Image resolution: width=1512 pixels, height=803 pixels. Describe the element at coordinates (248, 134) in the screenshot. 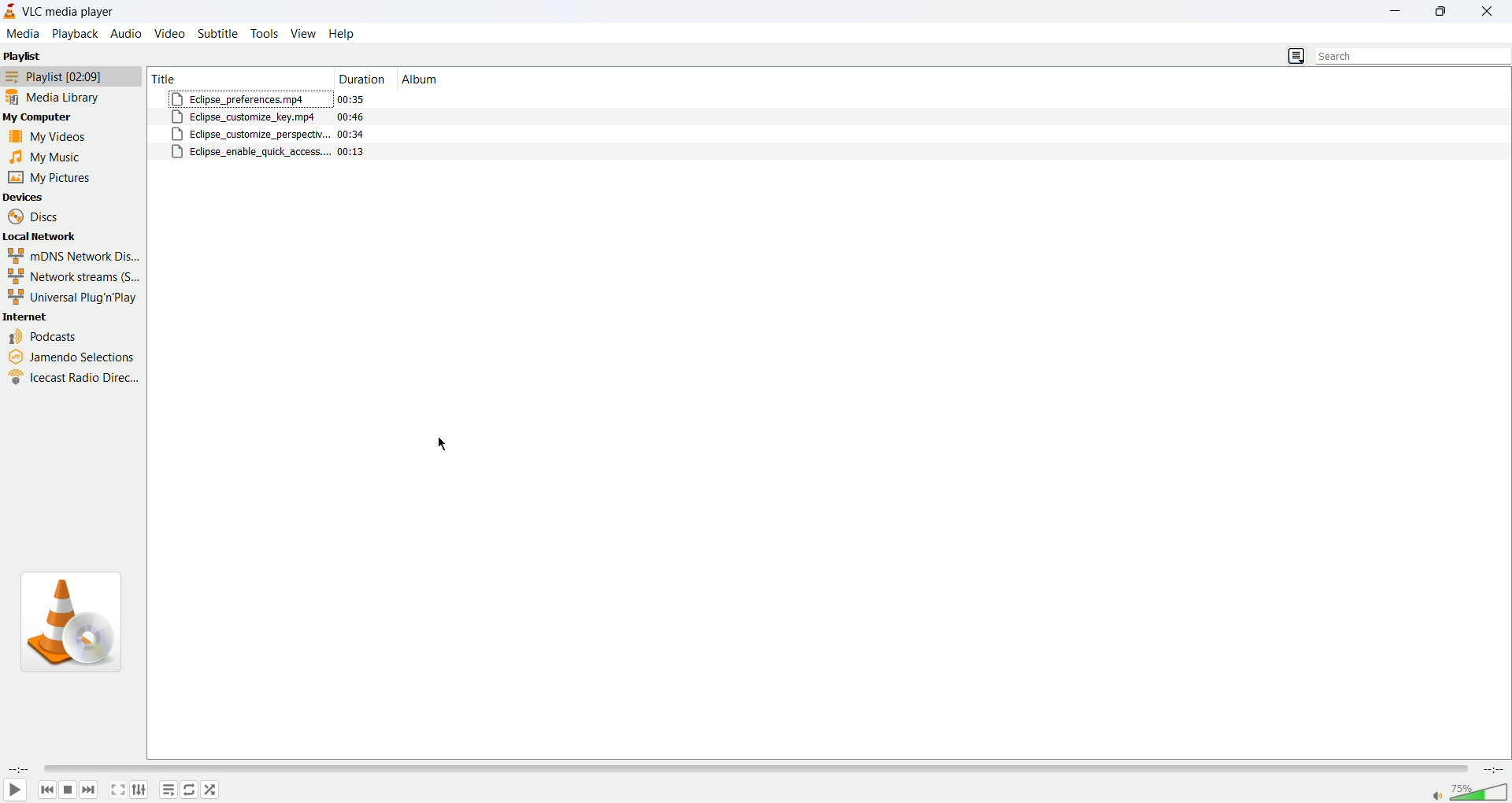

I see `eclipse_customize_perspective` at that location.